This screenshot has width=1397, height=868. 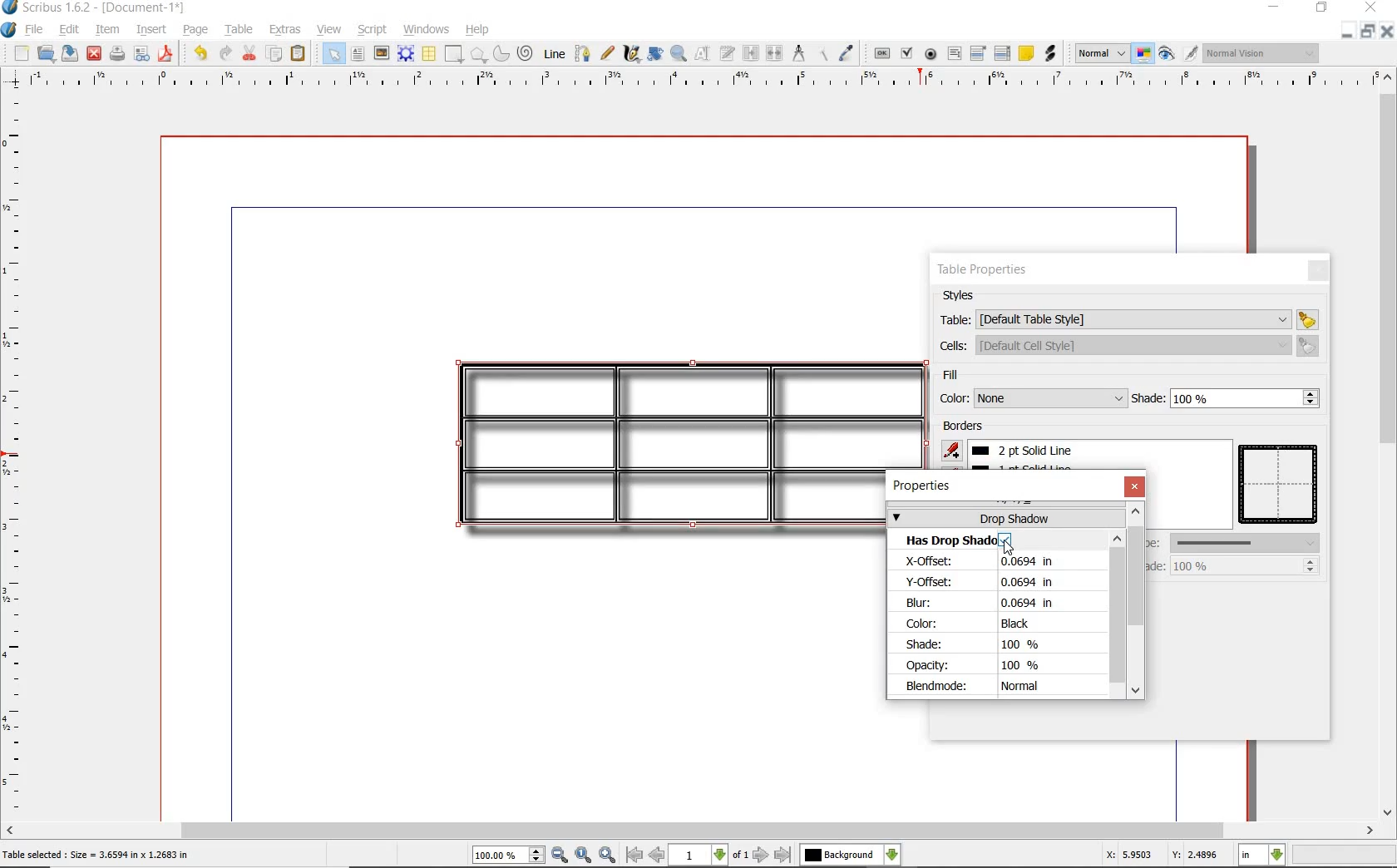 I want to click on shape, so click(x=452, y=55).